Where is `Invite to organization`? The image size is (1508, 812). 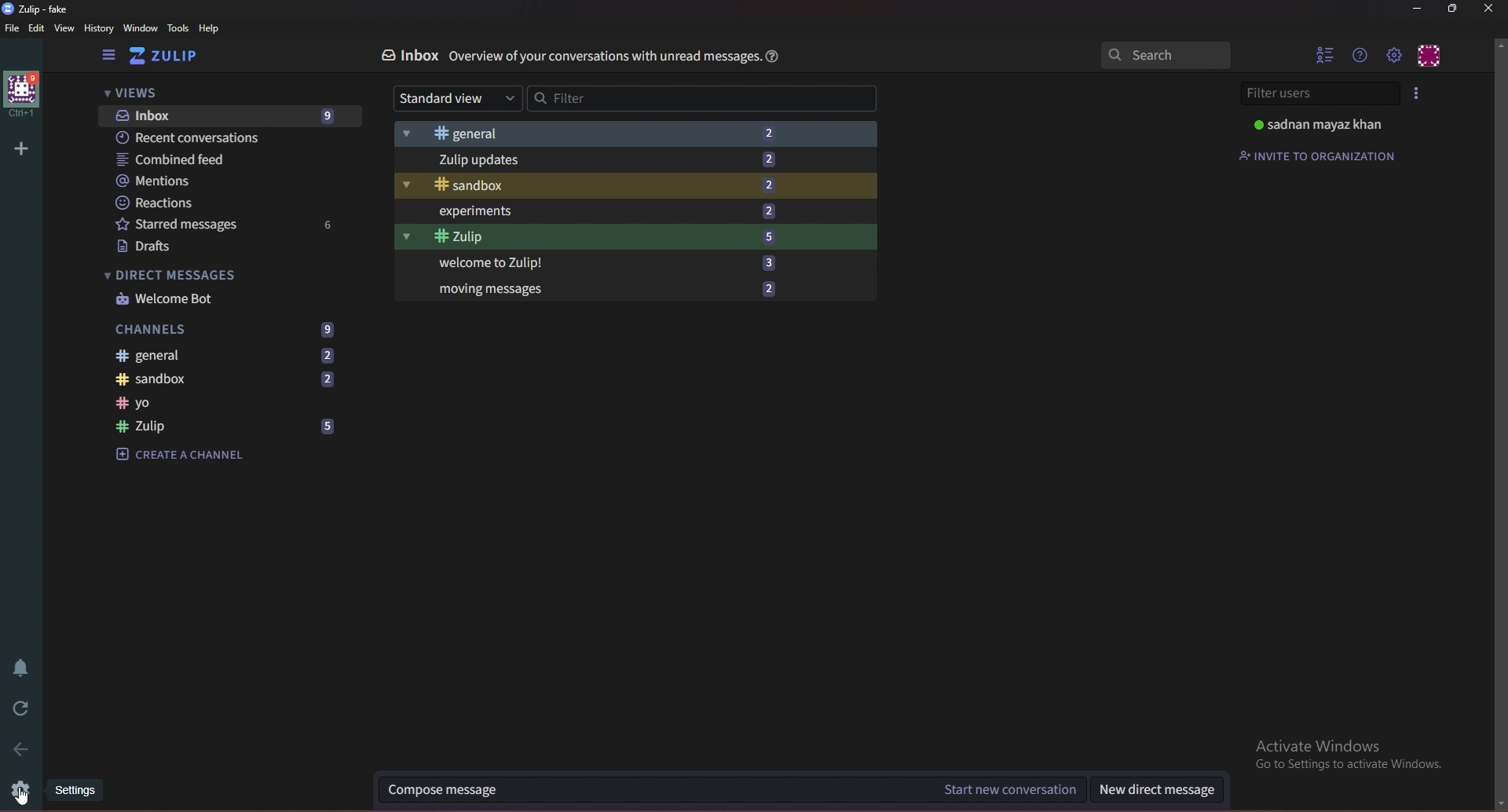 Invite to organization is located at coordinates (1320, 155).